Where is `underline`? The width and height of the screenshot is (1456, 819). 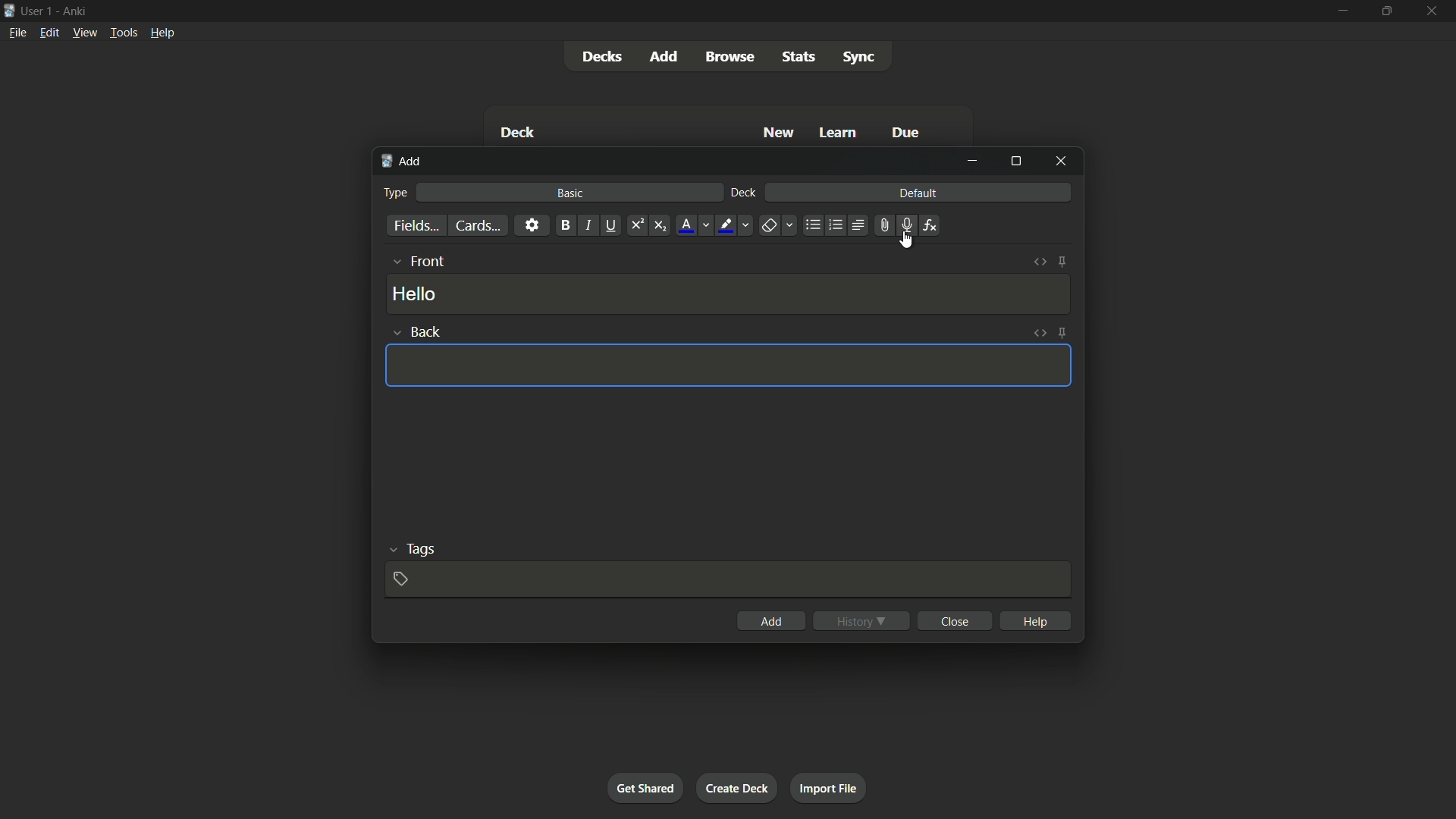
underline is located at coordinates (610, 224).